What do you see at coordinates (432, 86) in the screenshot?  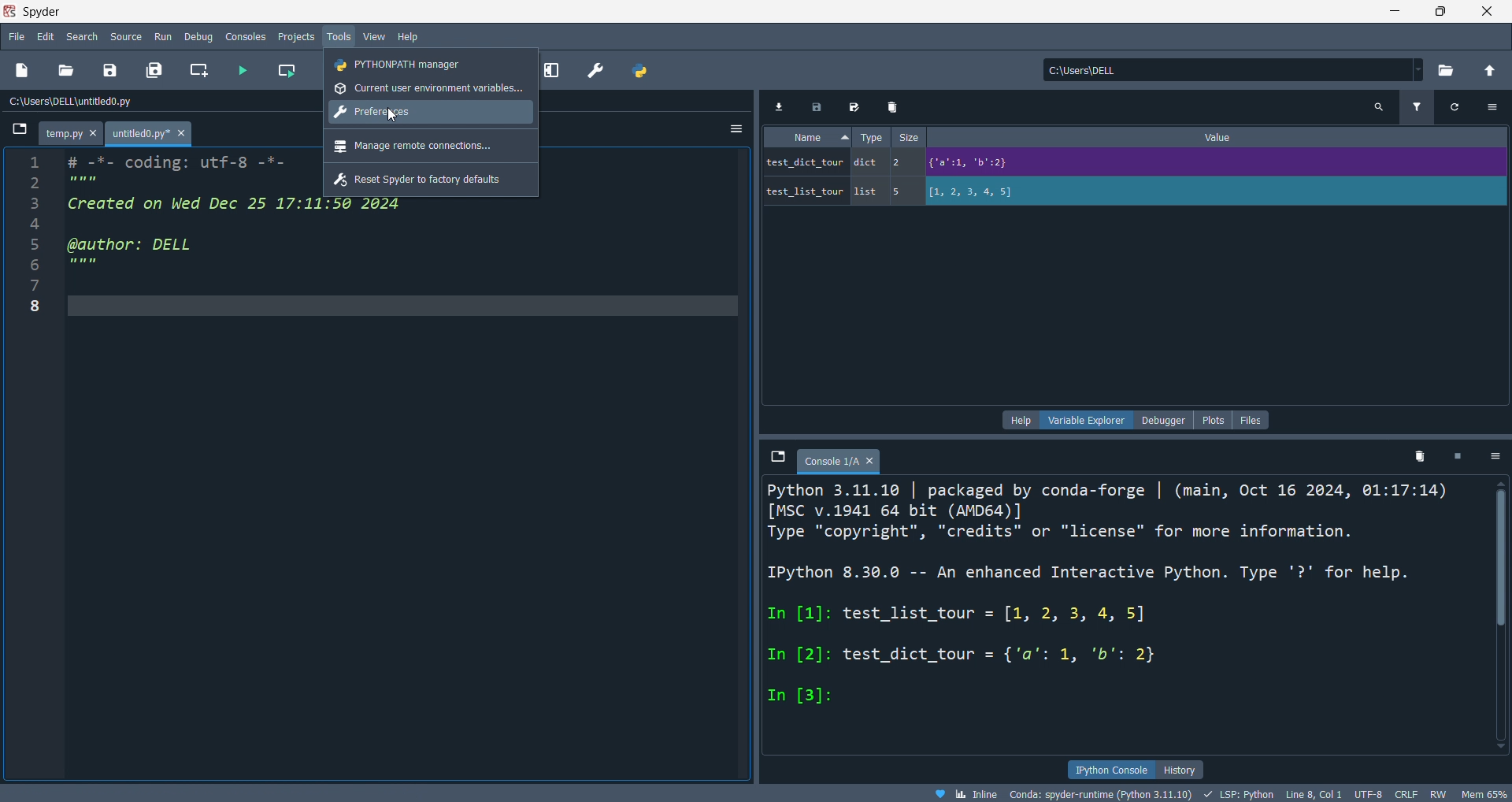 I see `current user env variables` at bounding box center [432, 86].